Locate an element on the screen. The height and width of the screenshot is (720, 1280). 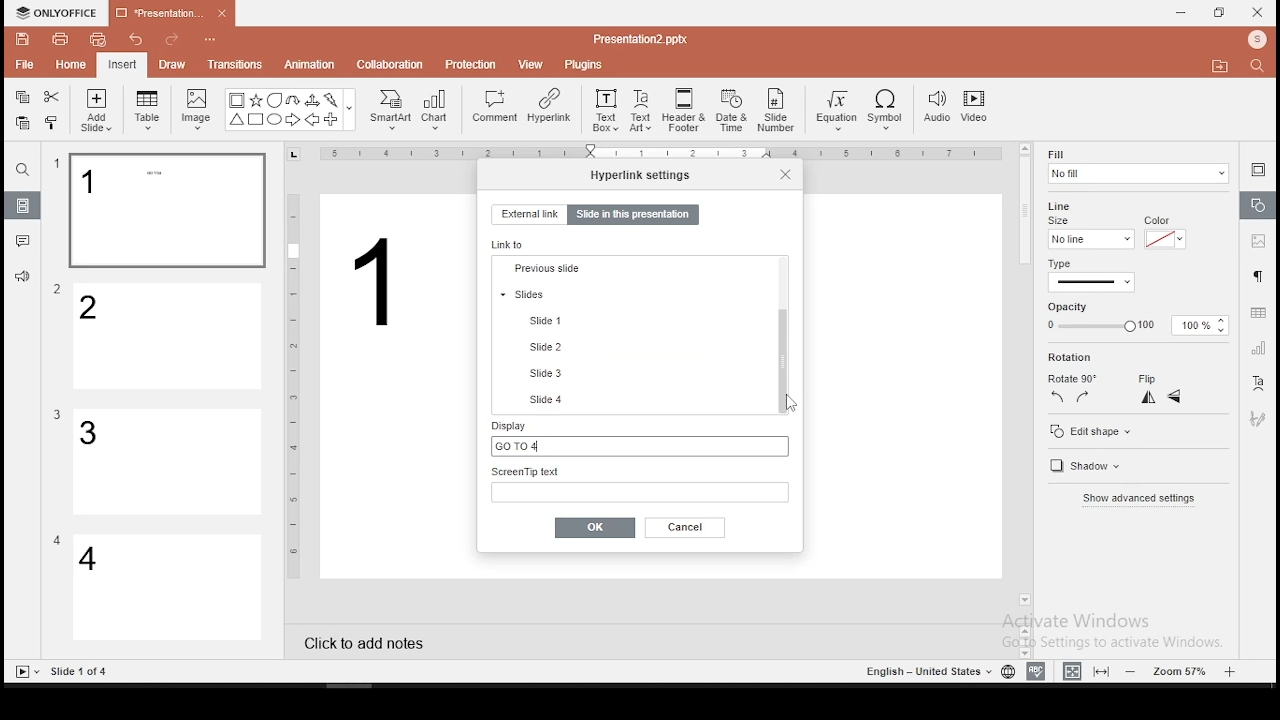
Plus is located at coordinates (332, 120).